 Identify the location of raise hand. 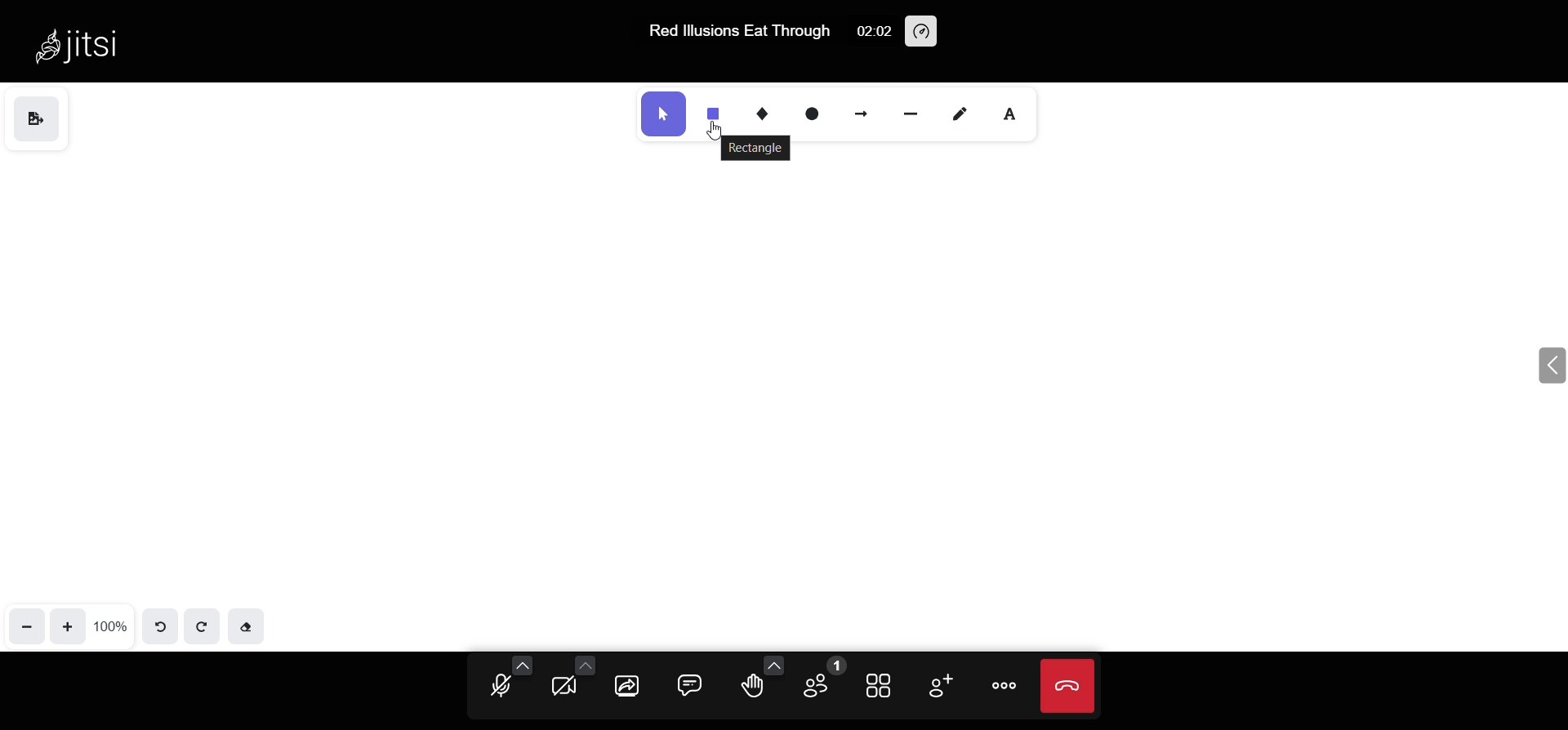
(751, 688).